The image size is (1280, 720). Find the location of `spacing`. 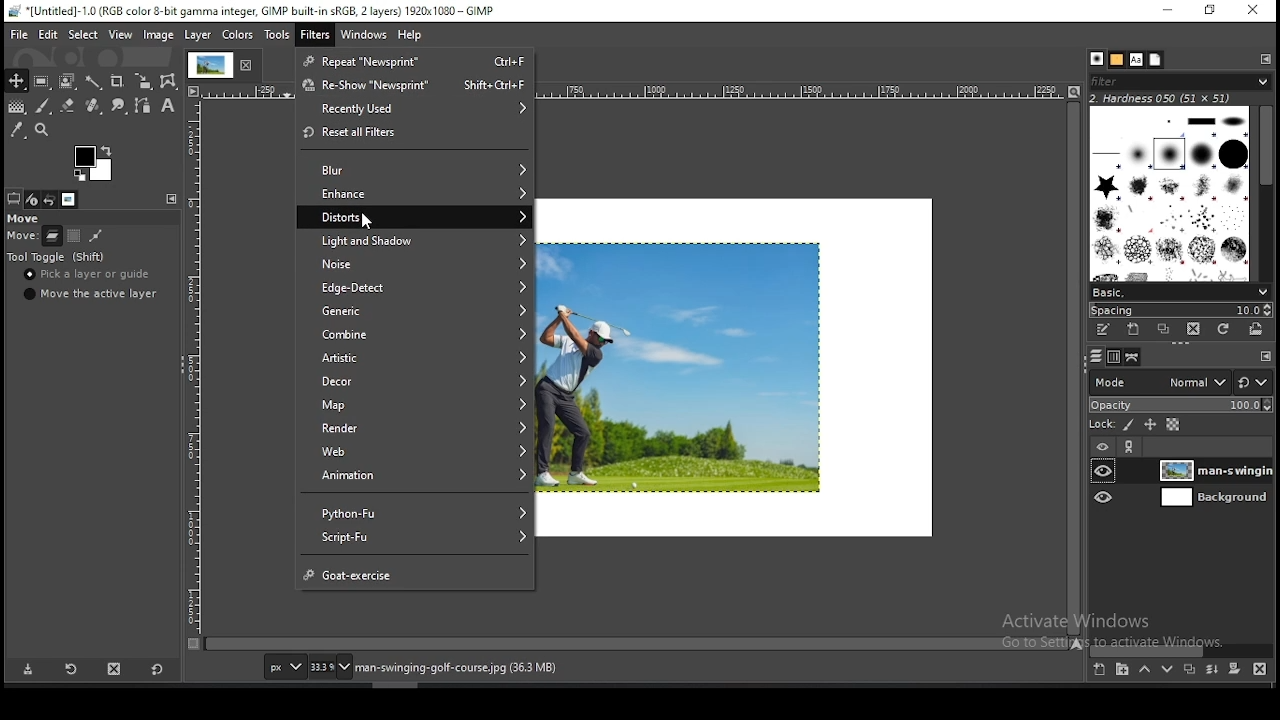

spacing is located at coordinates (1181, 309).